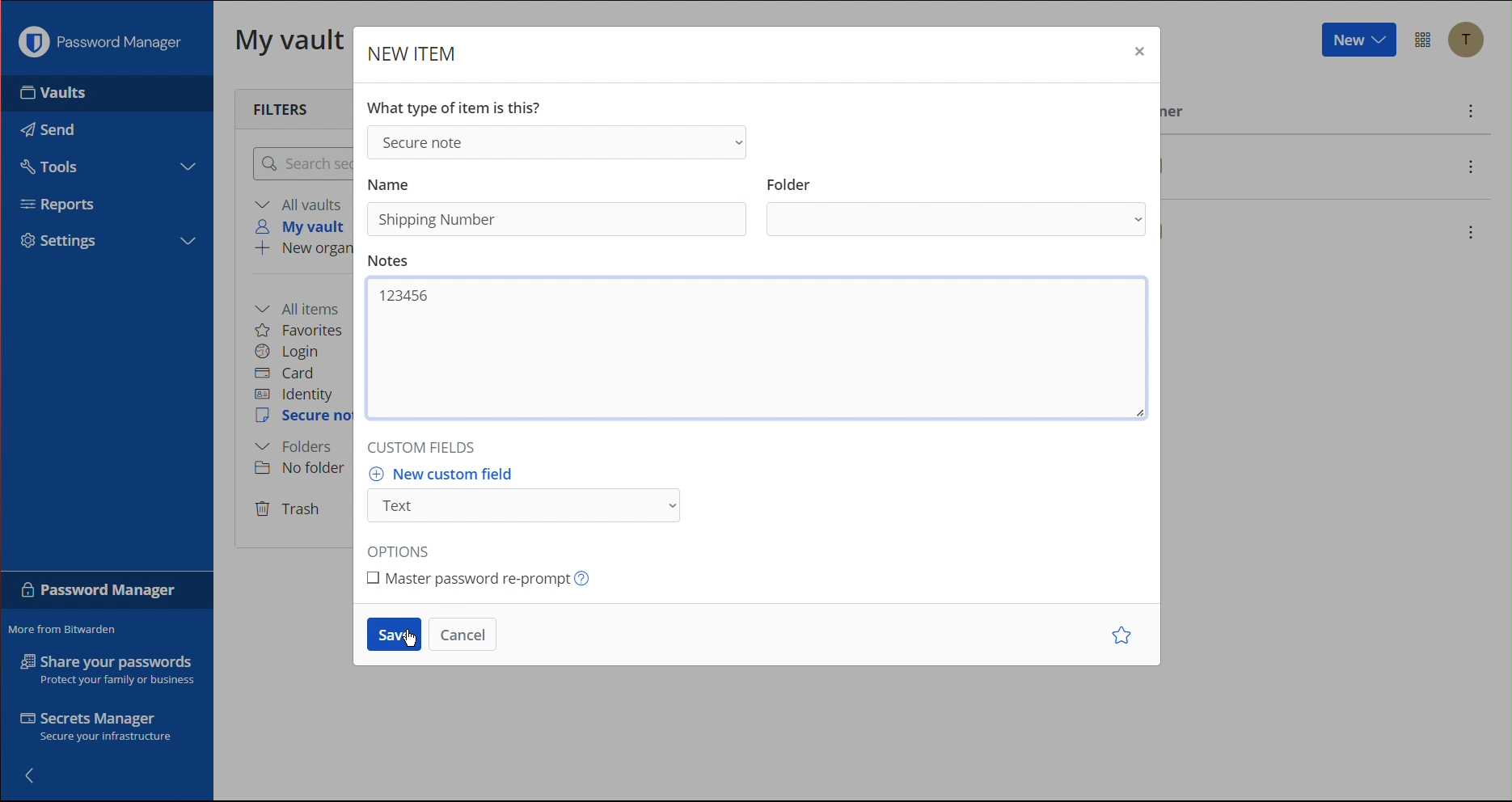 Image resolution: width=1512 pixels, height=802 pixels. I want to click on Folder, so click(956, 205).